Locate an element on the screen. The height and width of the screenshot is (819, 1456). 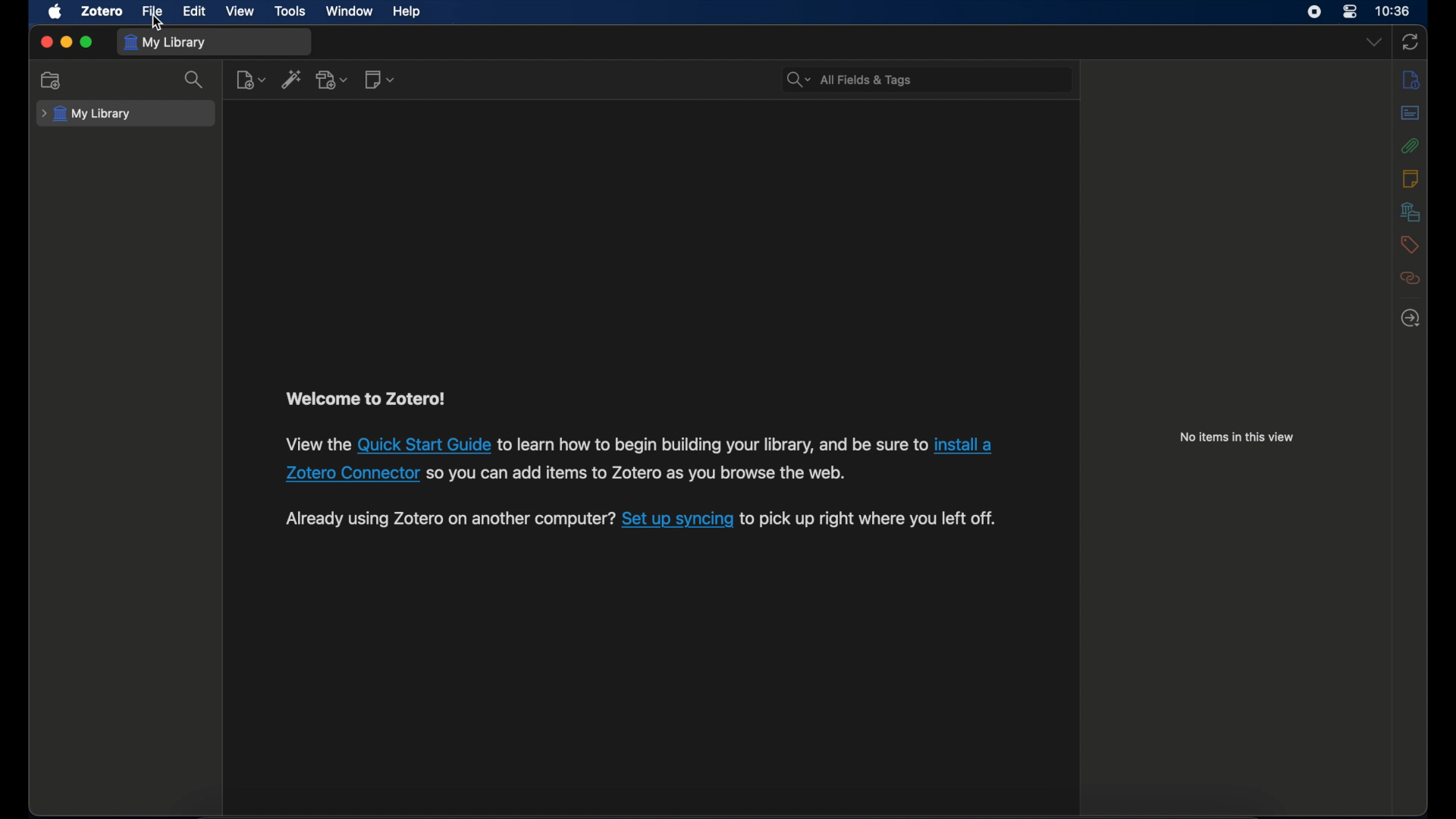
no items in this  view is located at coordinates (1238, 437).